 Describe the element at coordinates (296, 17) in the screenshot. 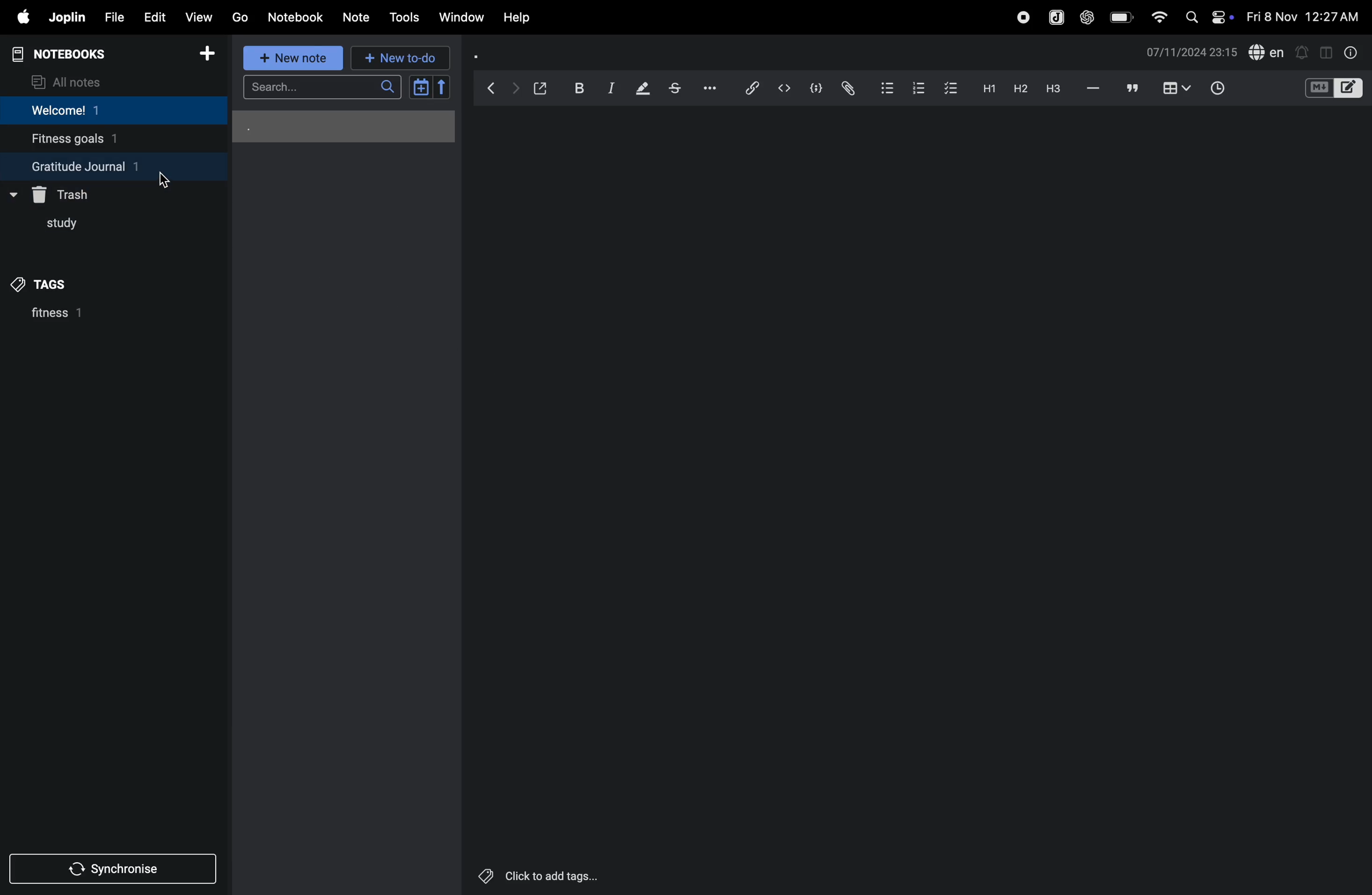

I see `notebook` at that location.